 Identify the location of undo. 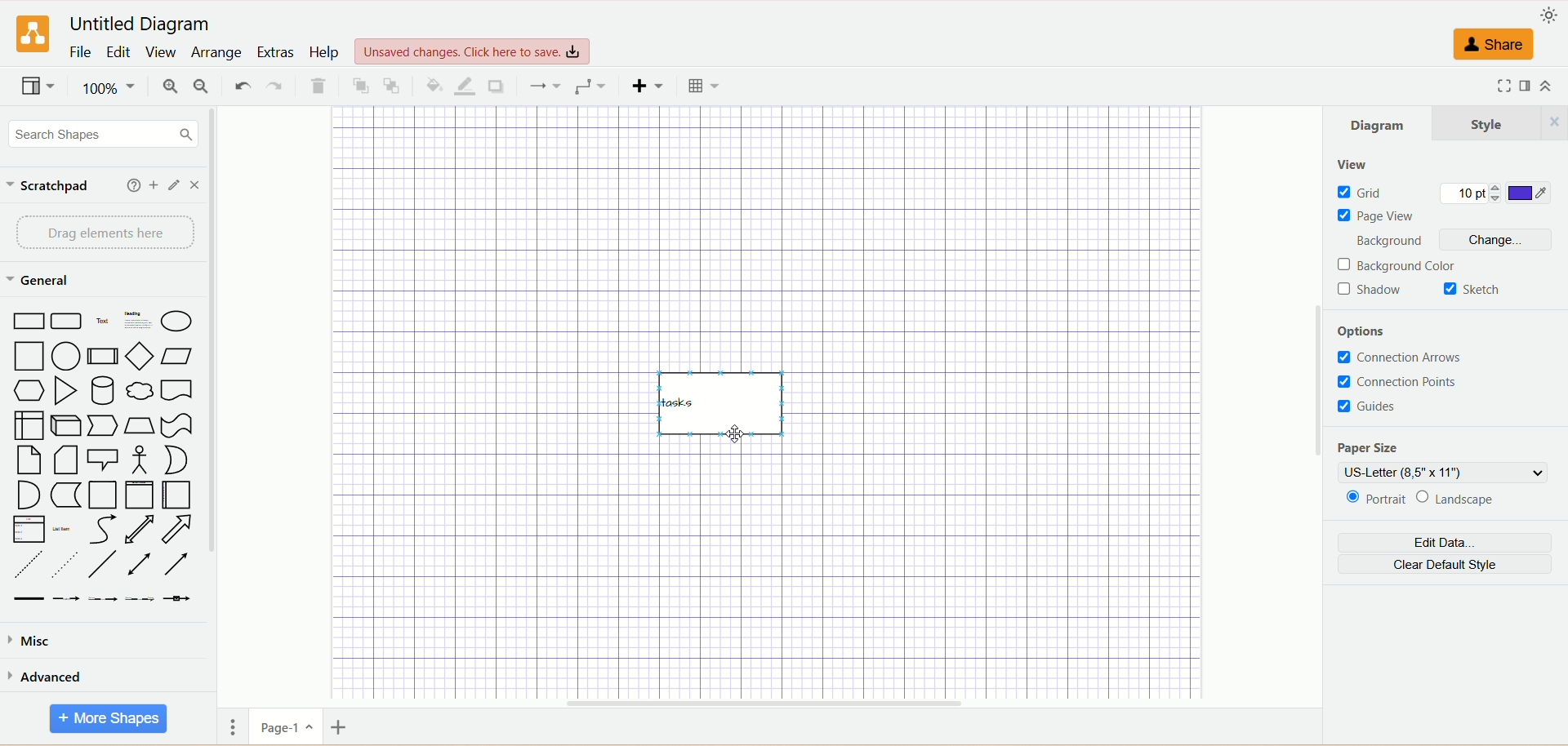
(243, 85).